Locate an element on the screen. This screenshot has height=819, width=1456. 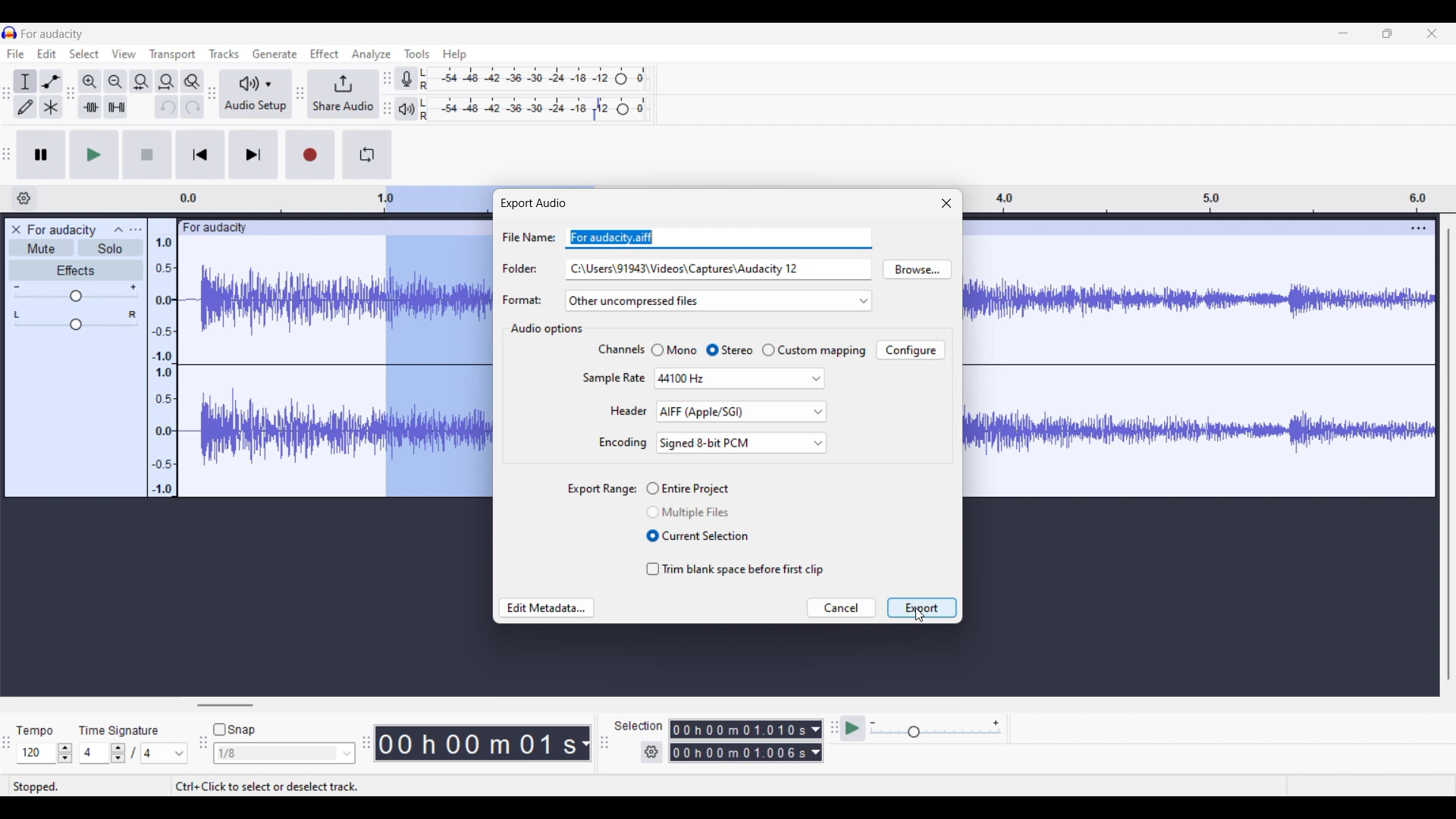
Close interface is located at coordinates (1432, 33).